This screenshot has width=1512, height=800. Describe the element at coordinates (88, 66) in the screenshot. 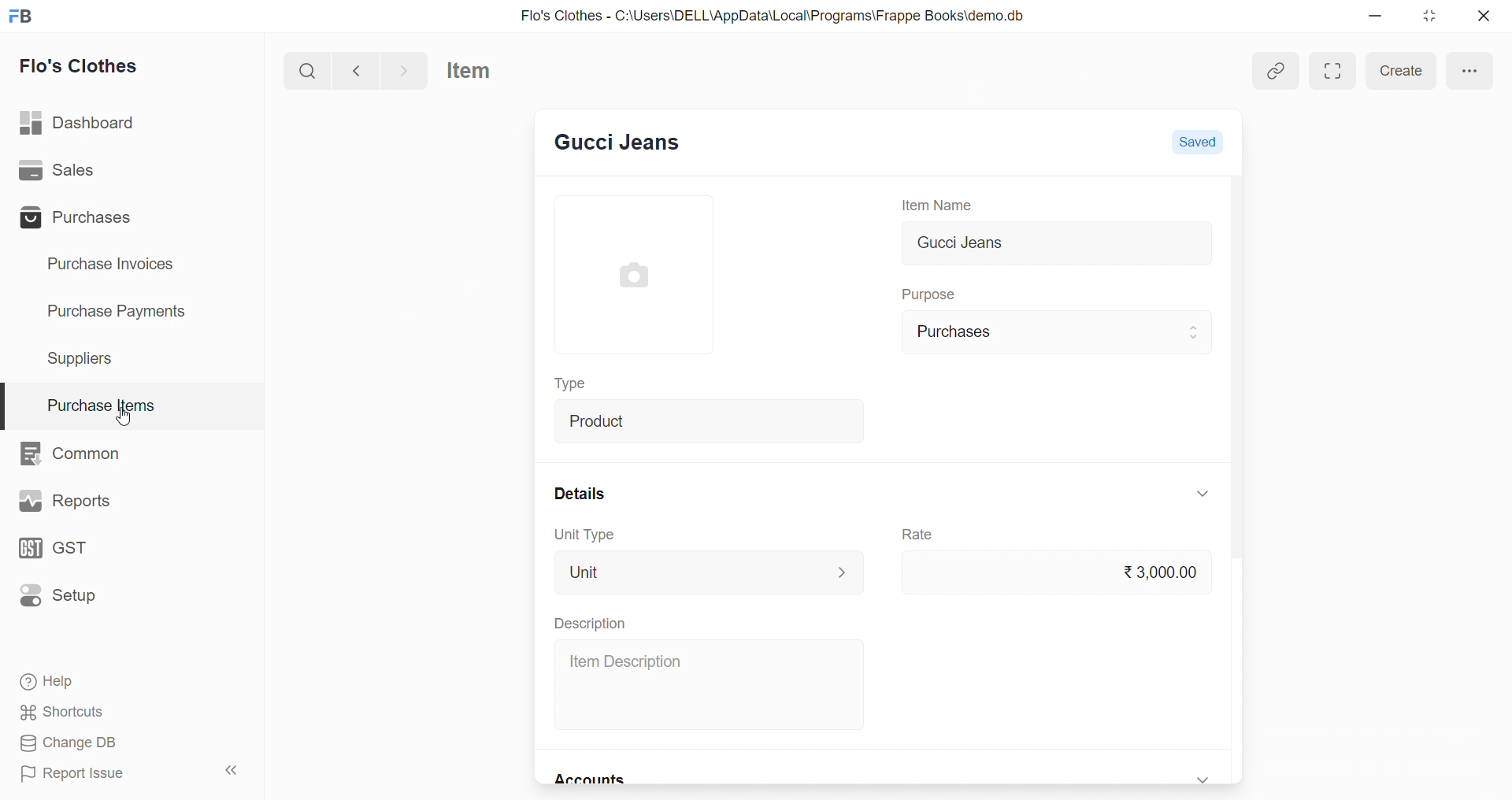

I see `Flo's Clothes` at that location.